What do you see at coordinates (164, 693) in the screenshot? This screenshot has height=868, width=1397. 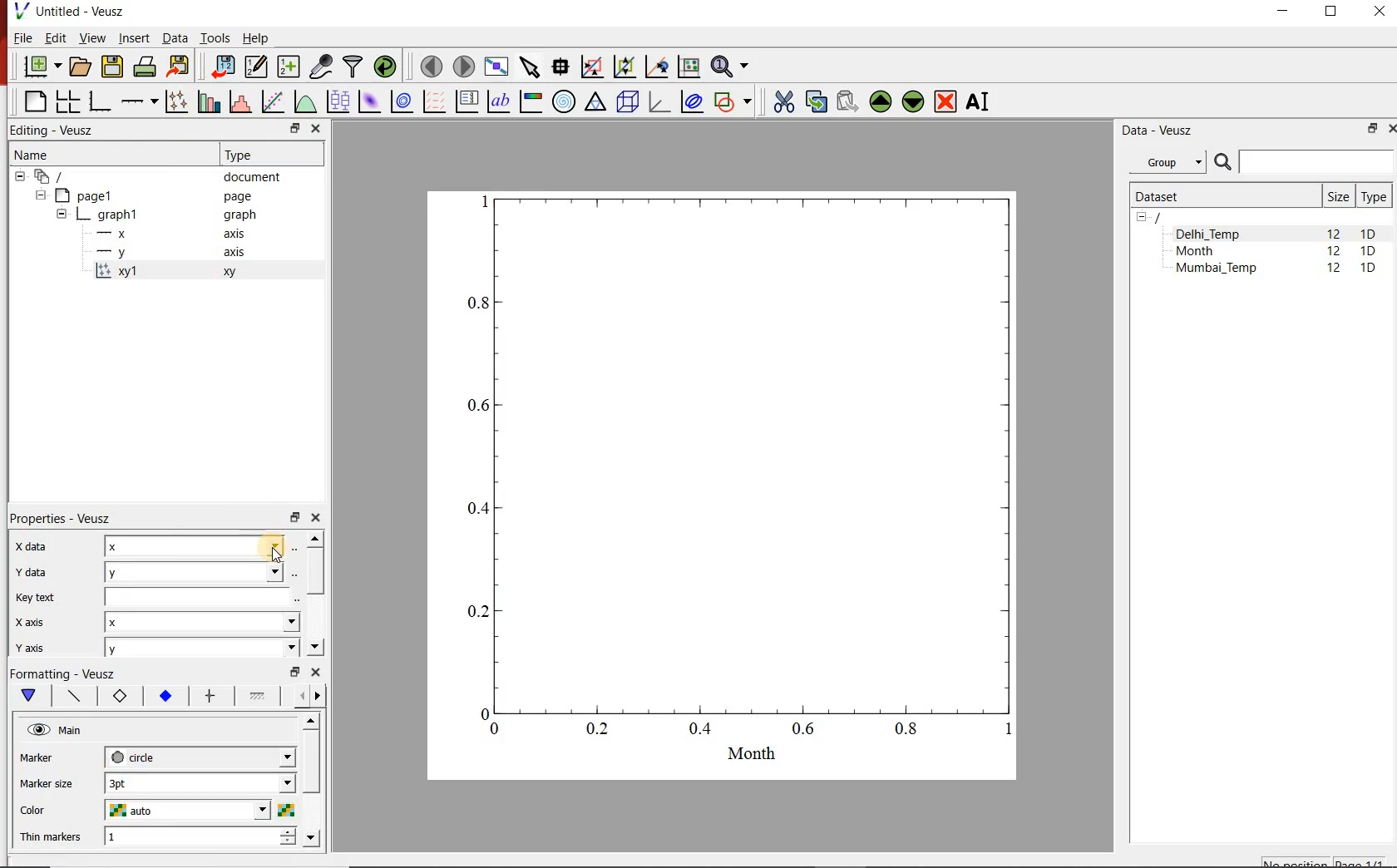 I see `Tick labels` at bounding box center [164, 693].